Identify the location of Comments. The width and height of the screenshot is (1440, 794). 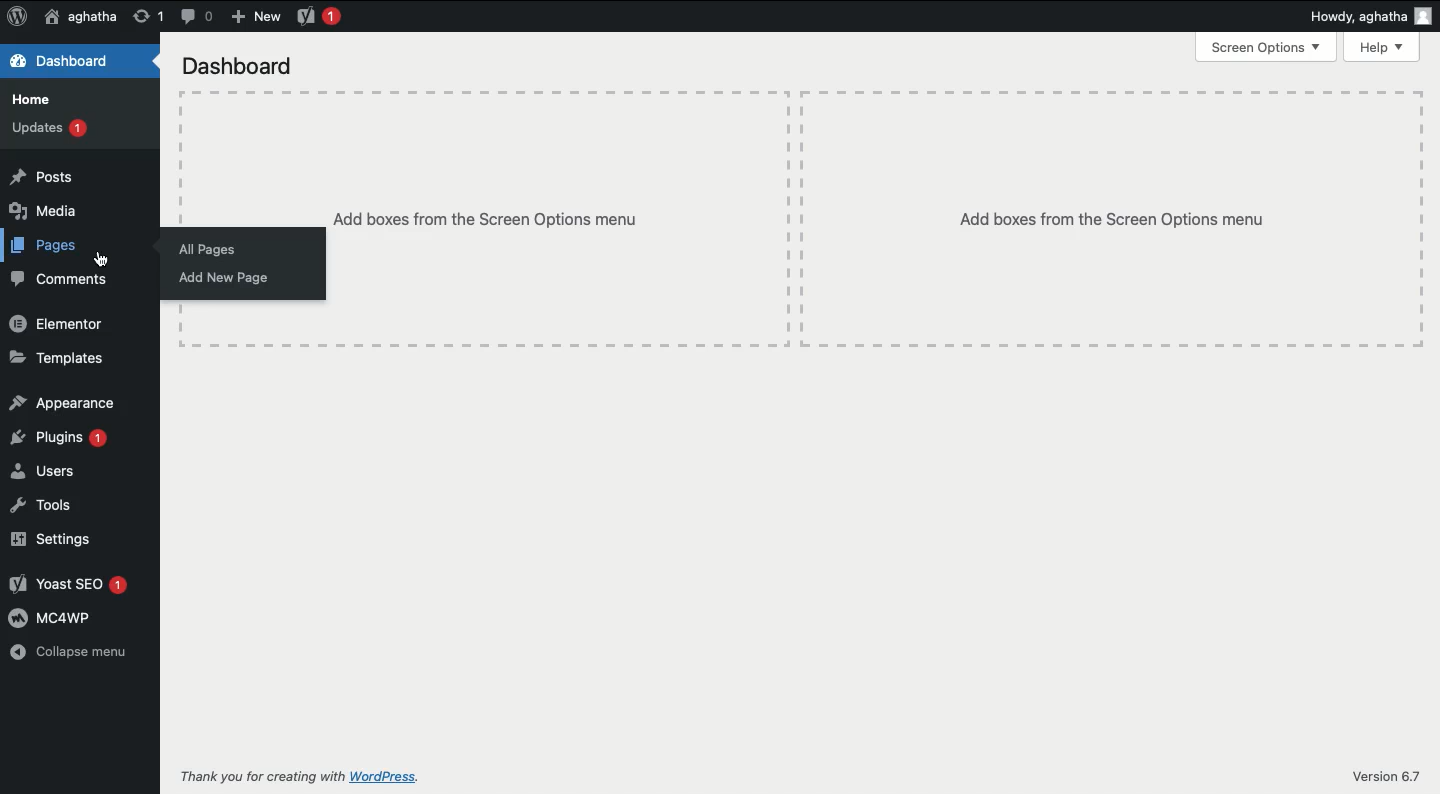
(60, 280).